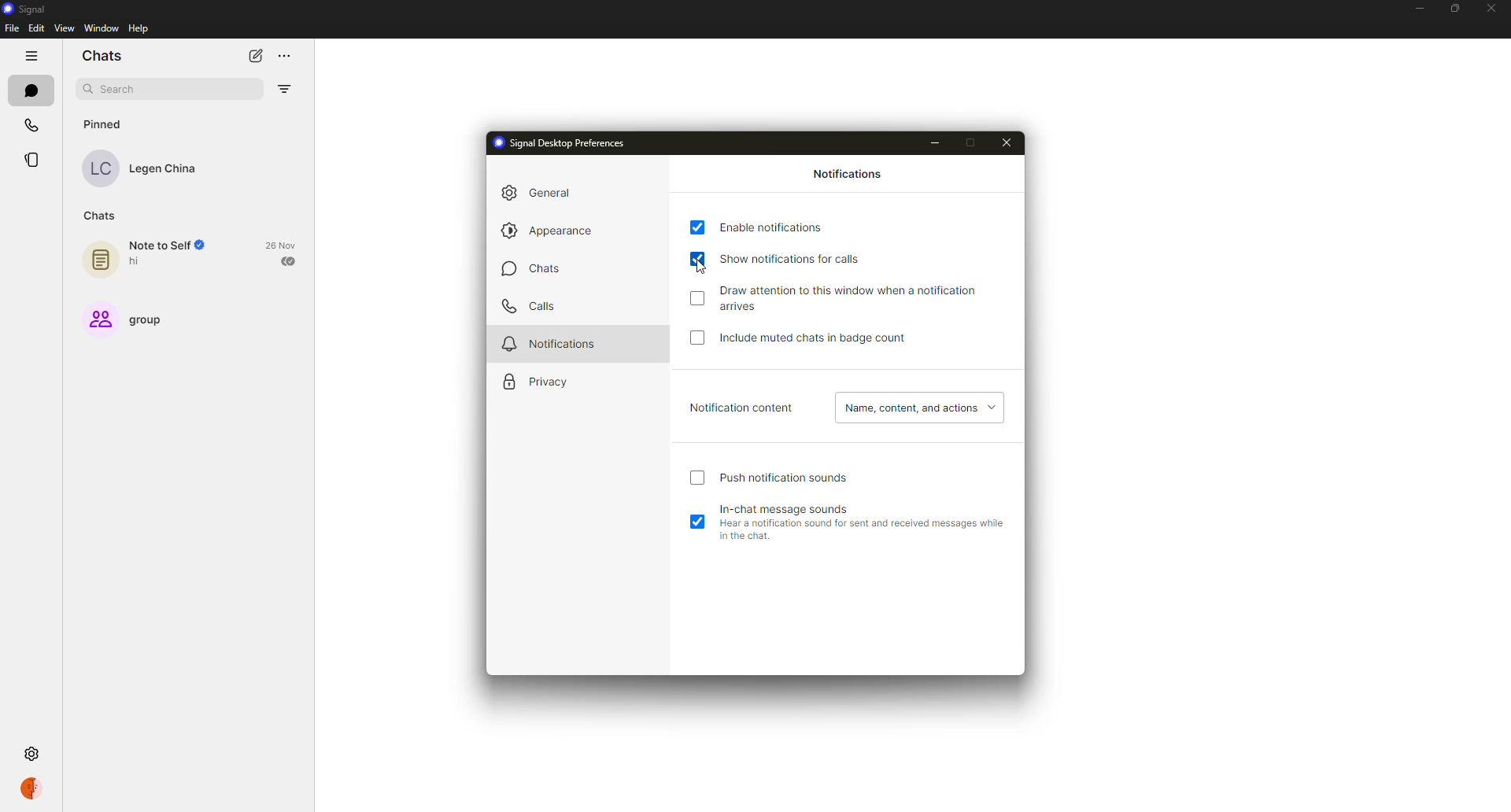 This screenshot has width=1511, height=812. What do you see at coordinates (932, 141) in the screenshot?
I see `minimize` at bounding box center [932, 141].